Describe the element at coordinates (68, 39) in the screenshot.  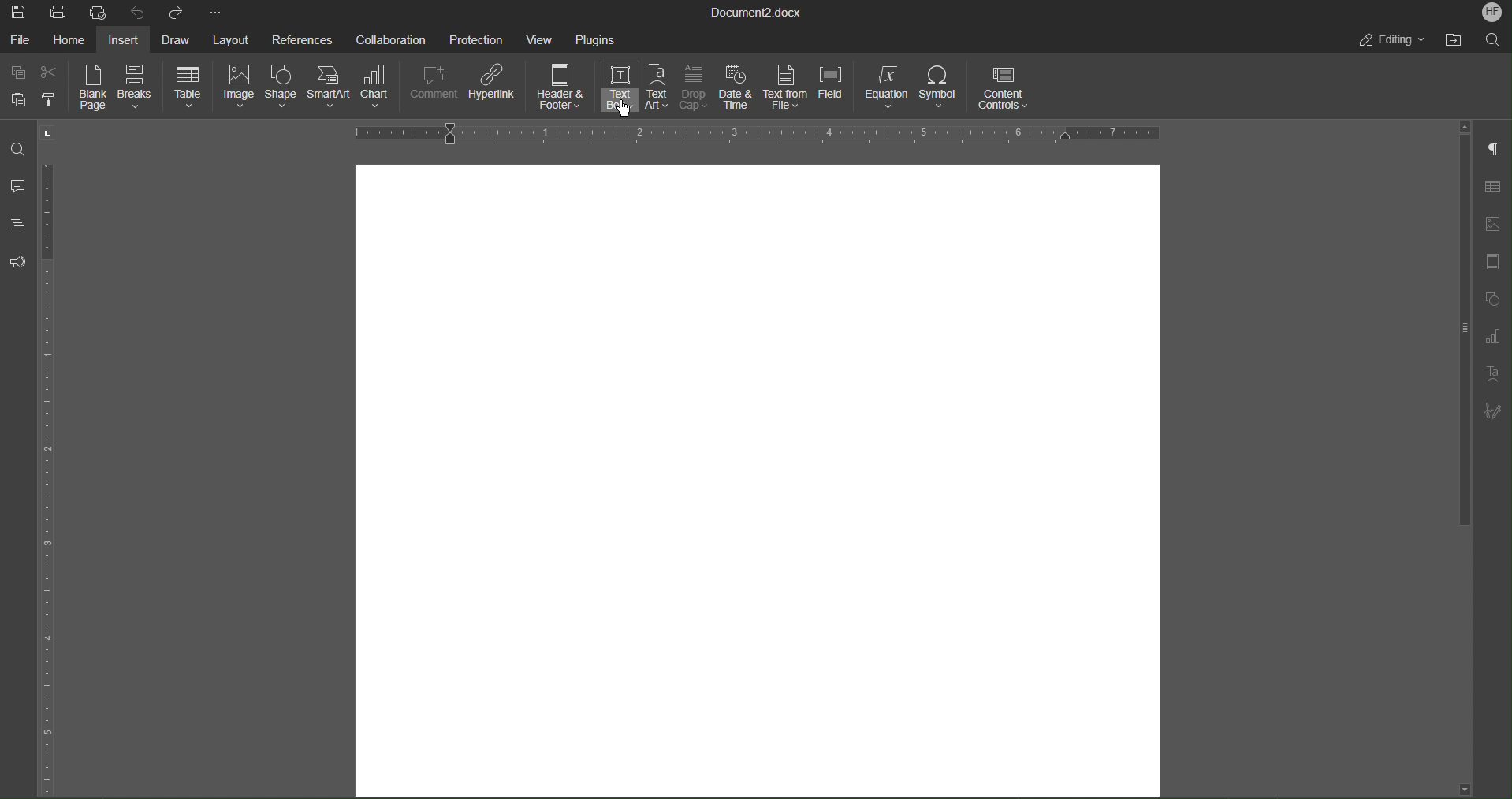
I see `Home` at that location.